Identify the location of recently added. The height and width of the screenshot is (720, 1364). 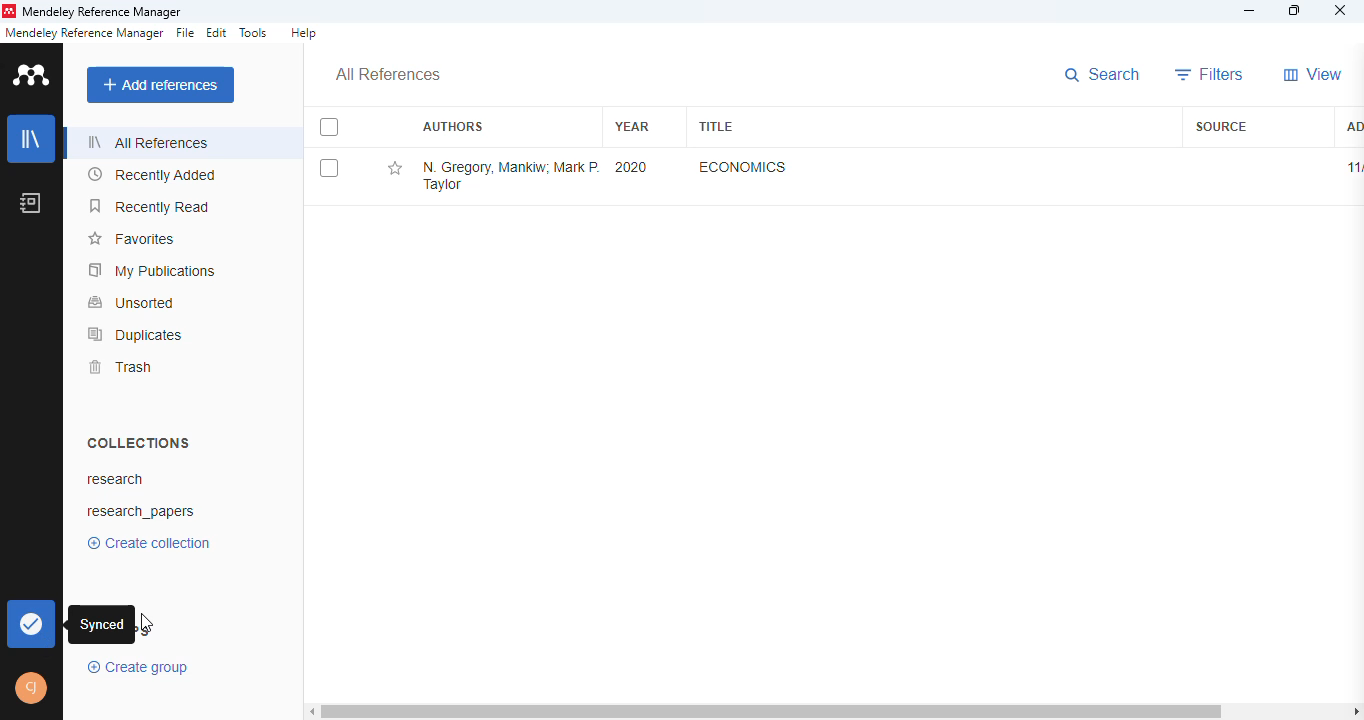
(151, 175).